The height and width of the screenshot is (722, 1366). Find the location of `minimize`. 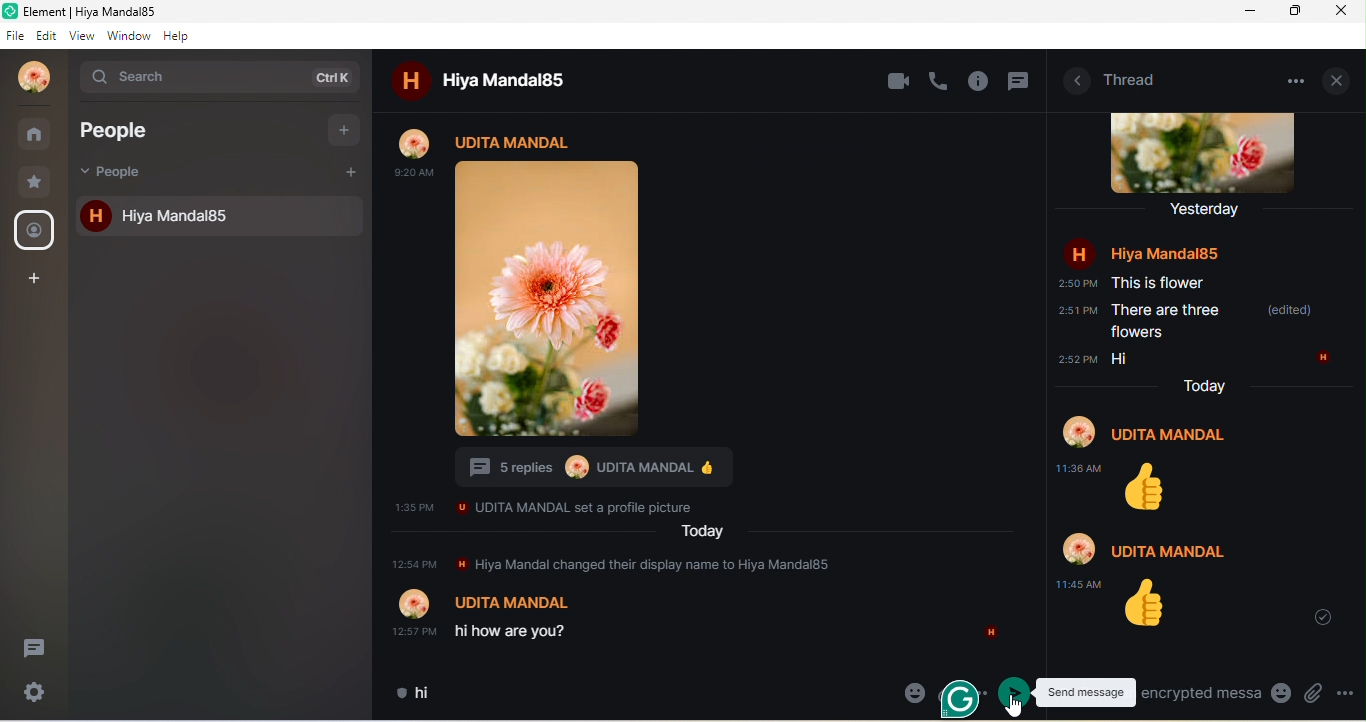

minimize is located at coordinates (1245, 13).